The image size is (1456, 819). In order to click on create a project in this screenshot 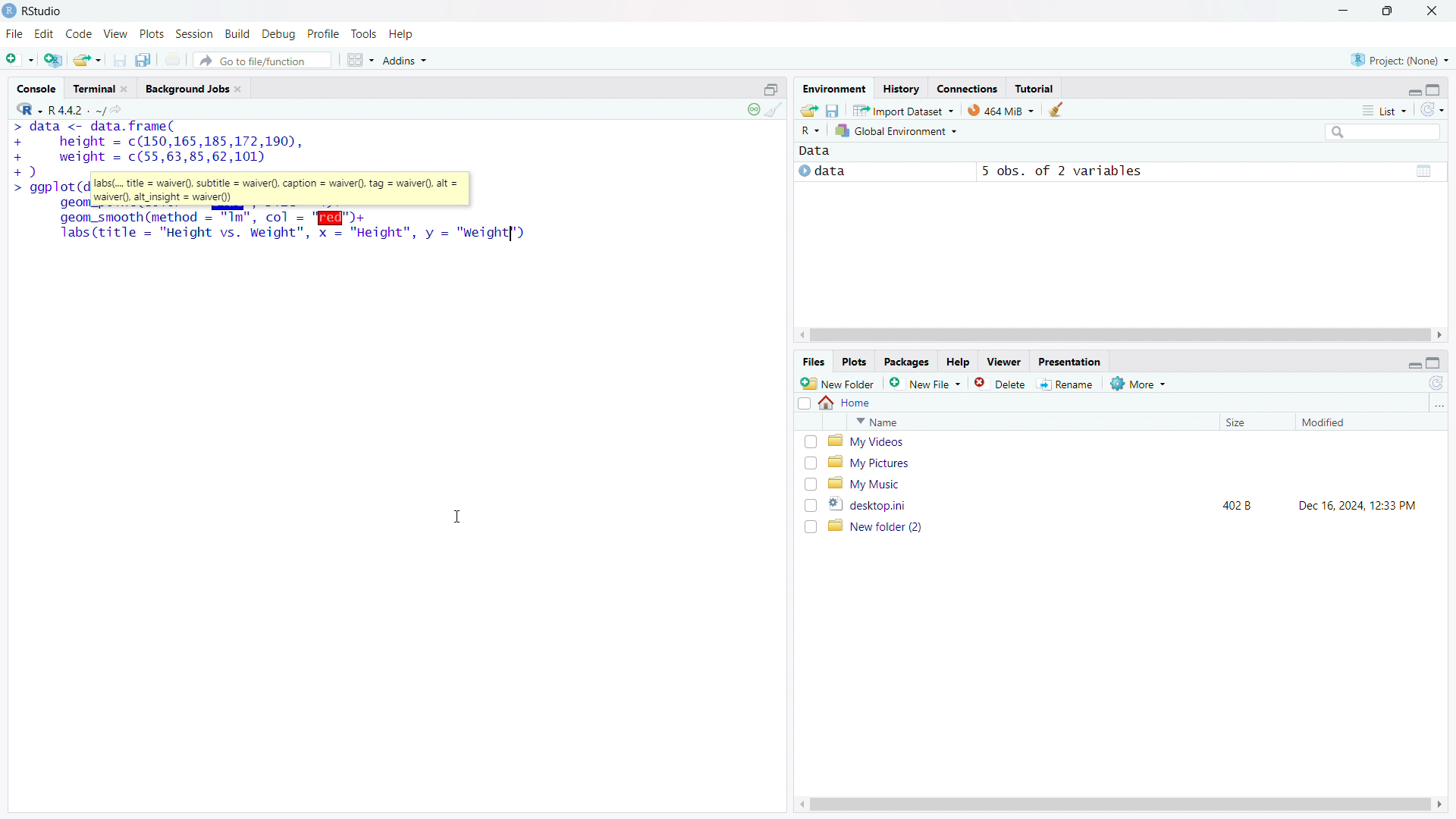, I will do `click(54, 58)`.